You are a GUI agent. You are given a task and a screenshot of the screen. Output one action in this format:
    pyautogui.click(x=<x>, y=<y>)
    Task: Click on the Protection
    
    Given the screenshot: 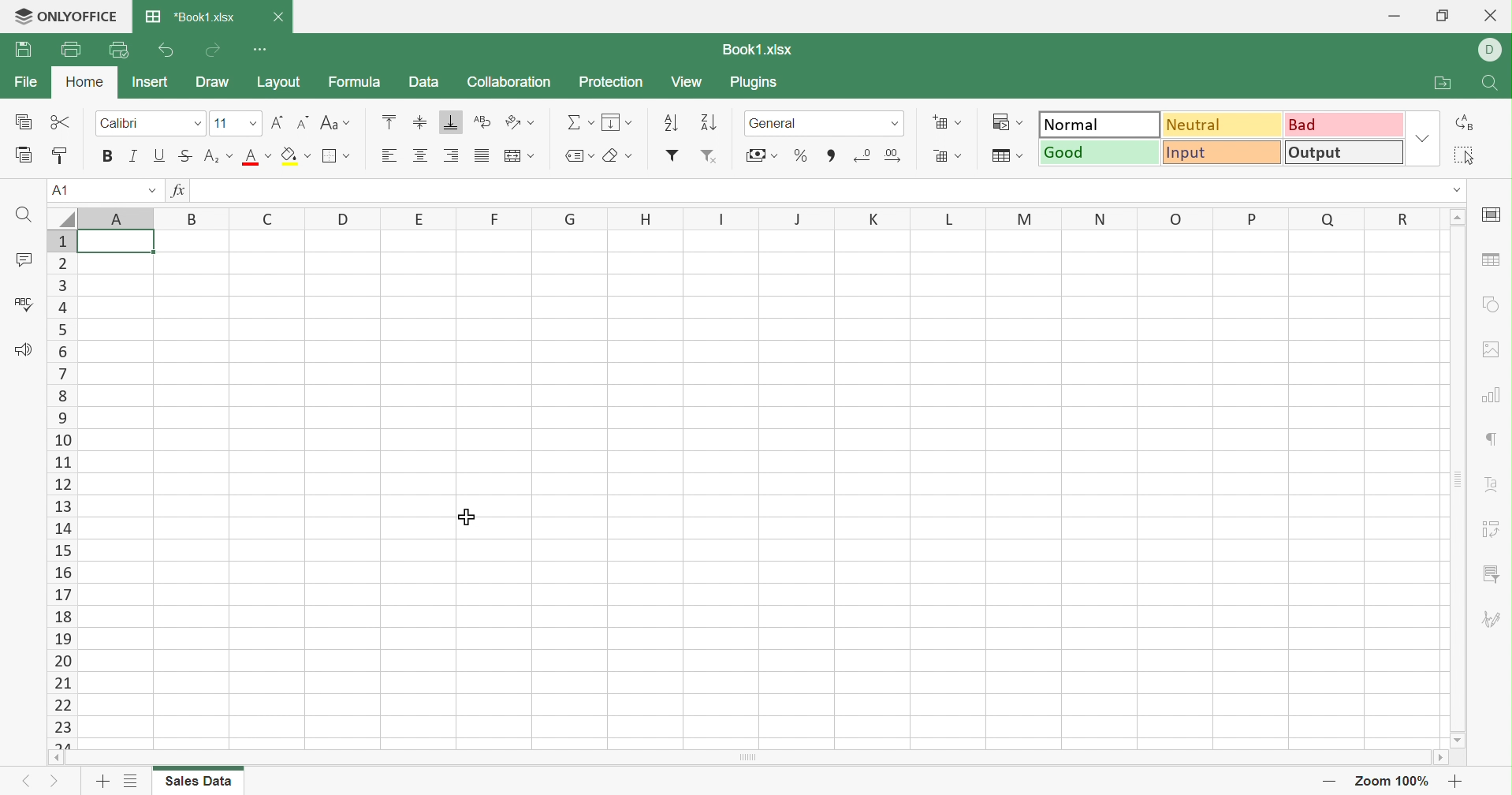 What is the action you would take?
    pyautogui.click(x=613, y=81)
    